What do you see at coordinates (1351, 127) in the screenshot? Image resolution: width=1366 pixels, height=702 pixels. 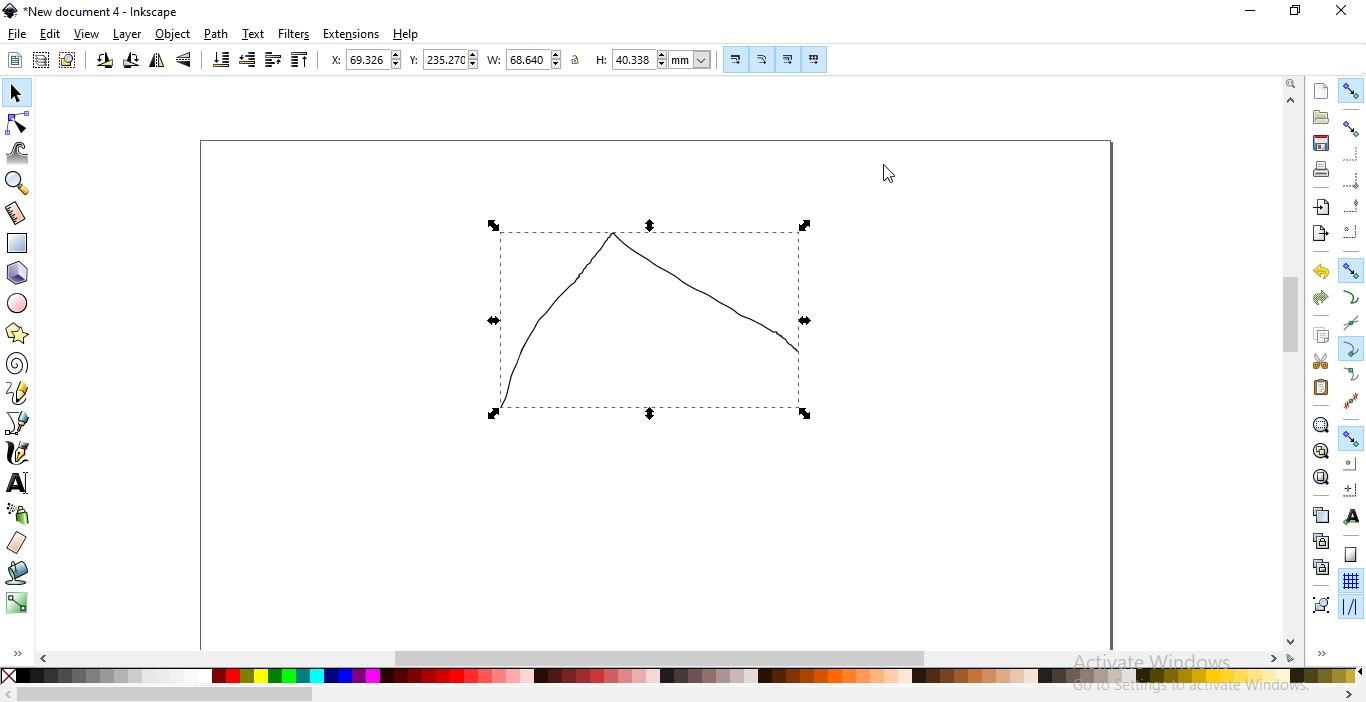 I see `snap bounding boxes` at bounding box center [1351, 127].